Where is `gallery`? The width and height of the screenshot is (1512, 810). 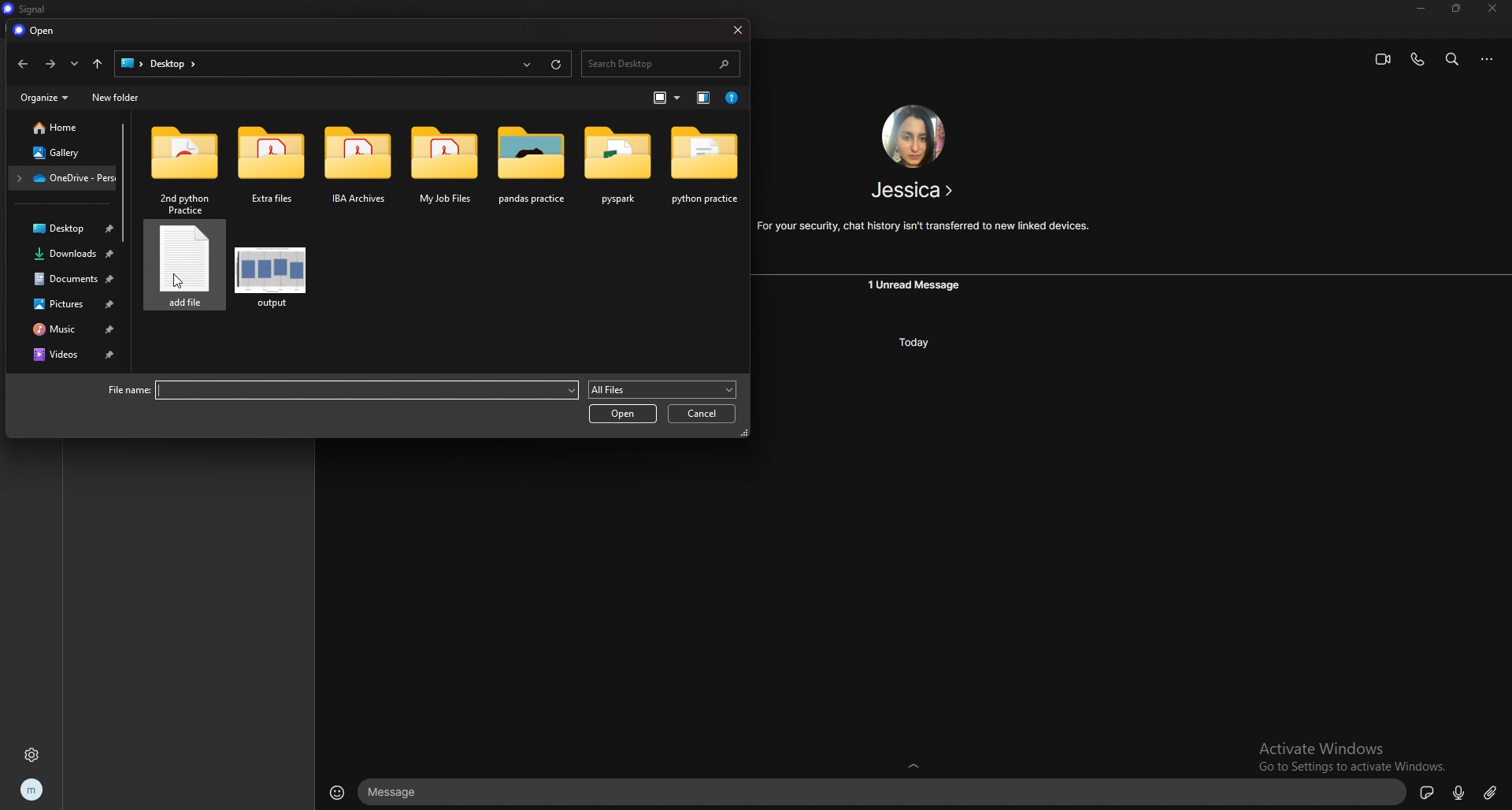
gallery is located at coordinates (57, 150).